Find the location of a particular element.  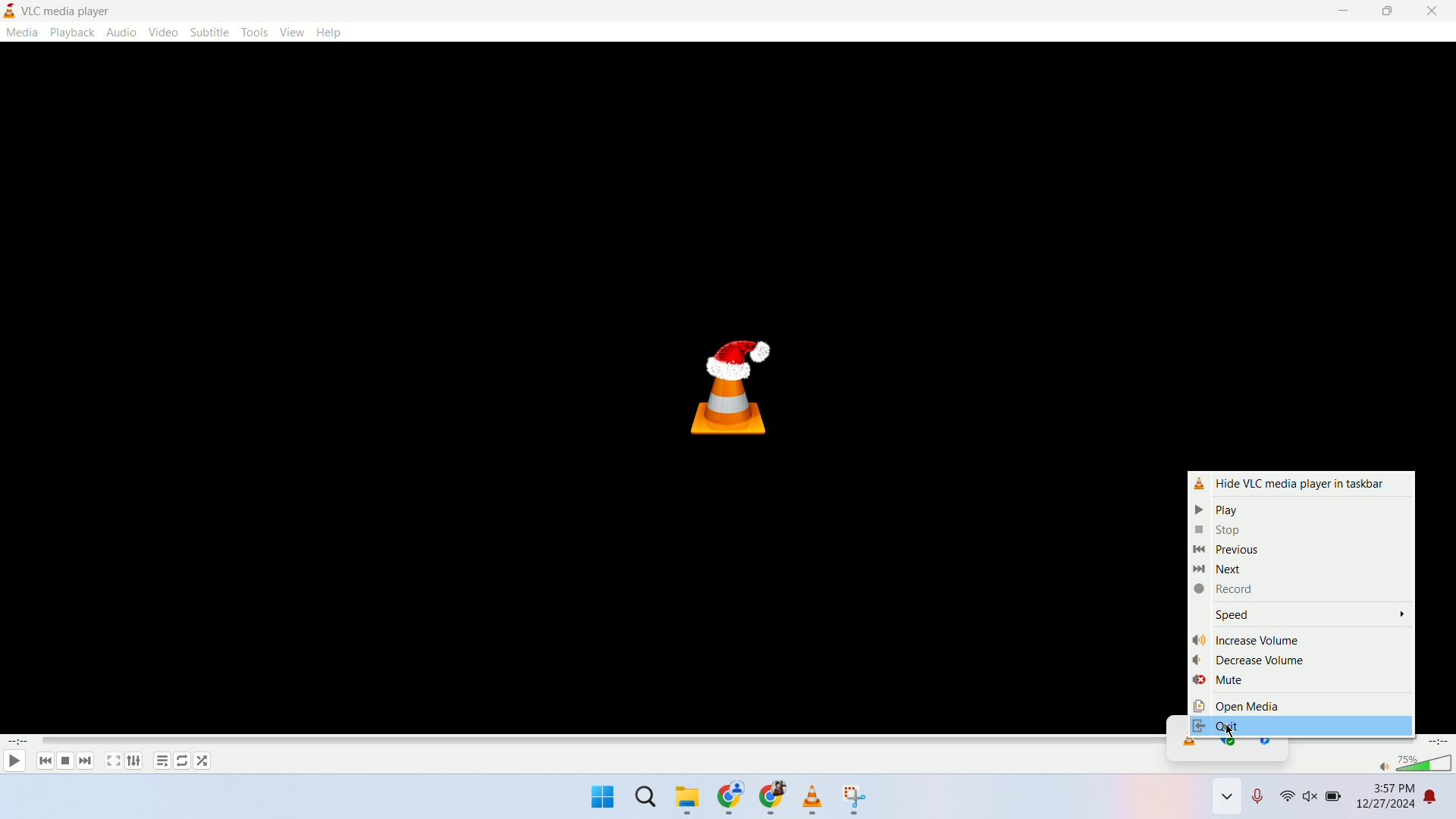

toggle loop is located at coordinates (183, 761).